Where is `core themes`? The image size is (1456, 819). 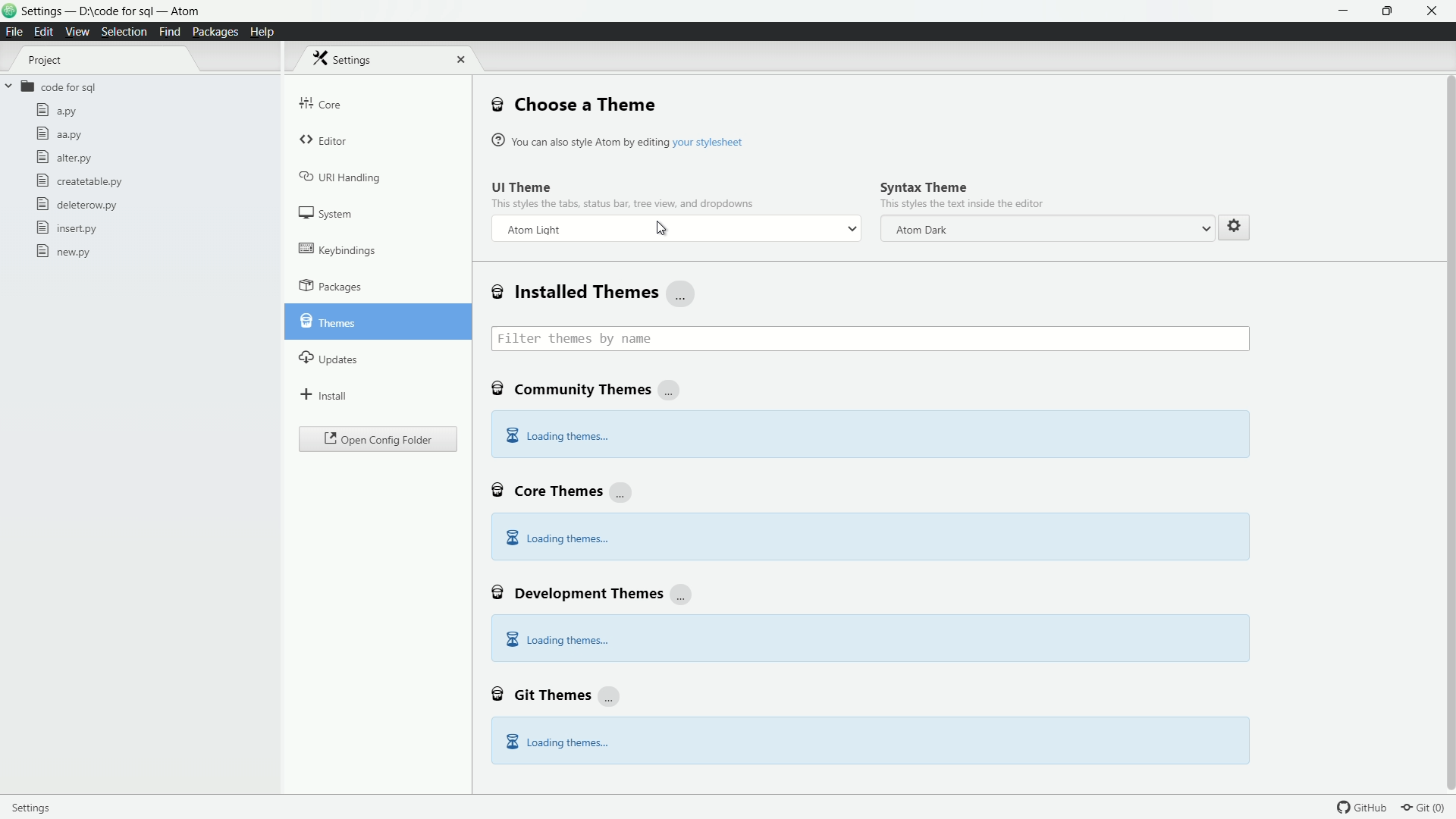 core themes is located at coordinates (562, 489).